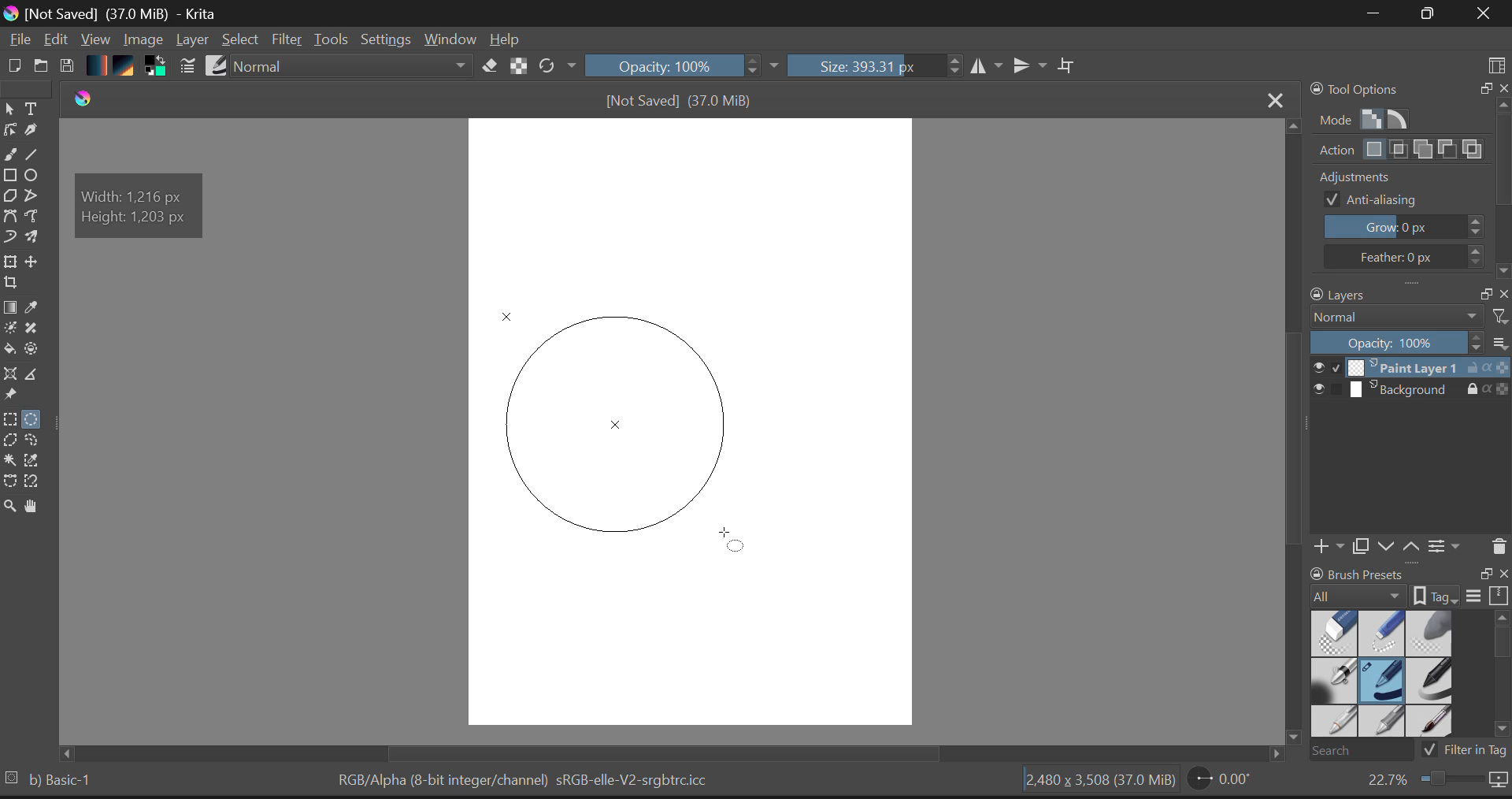 This screenshot has width=1512, height=799. What do you see at coordinates (42, 63) in the screenshot?
I see `Open` at bounding box center [42, 63].